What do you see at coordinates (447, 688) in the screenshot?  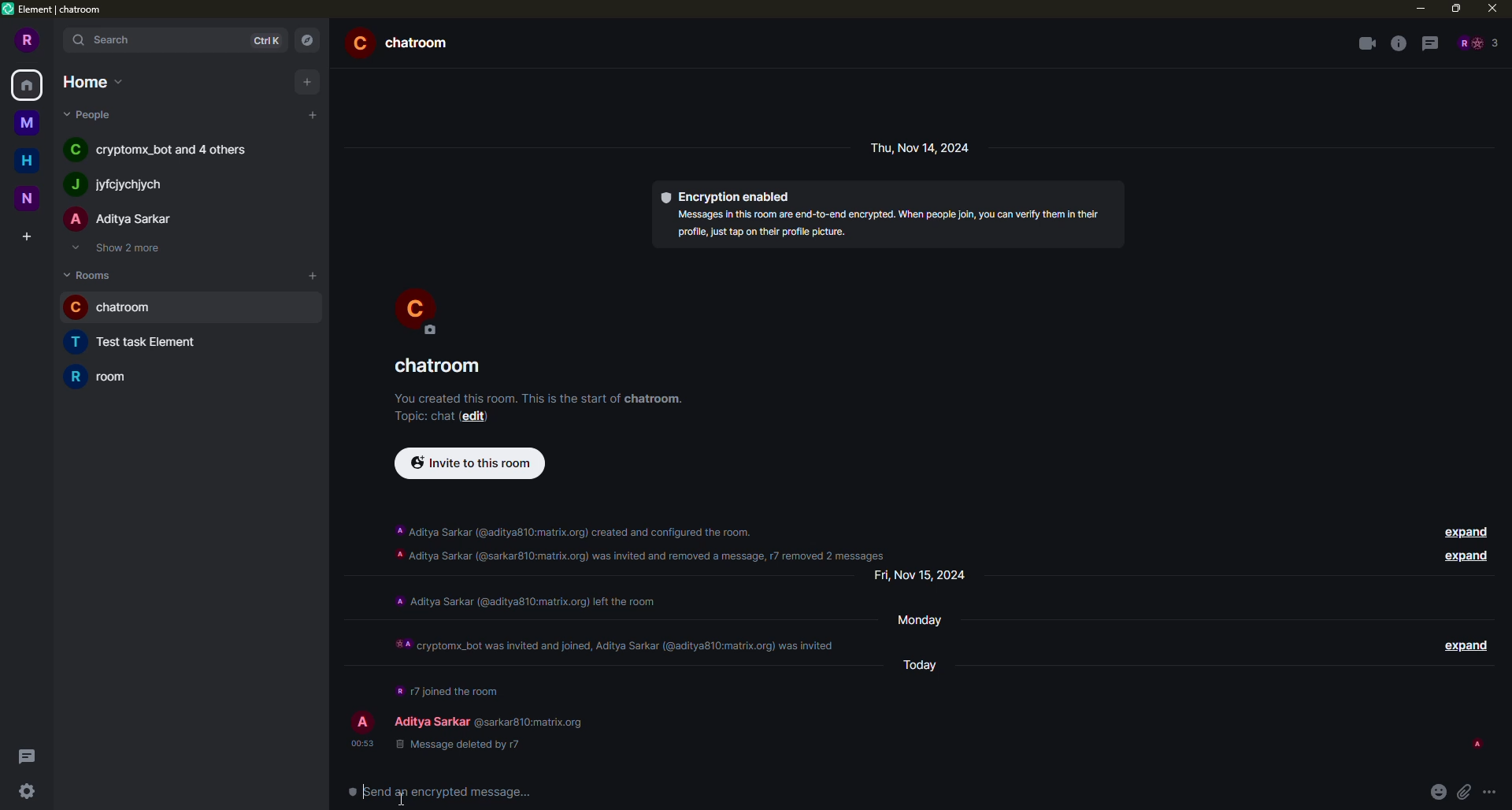 I see `info` at bounding box center [447, 688].